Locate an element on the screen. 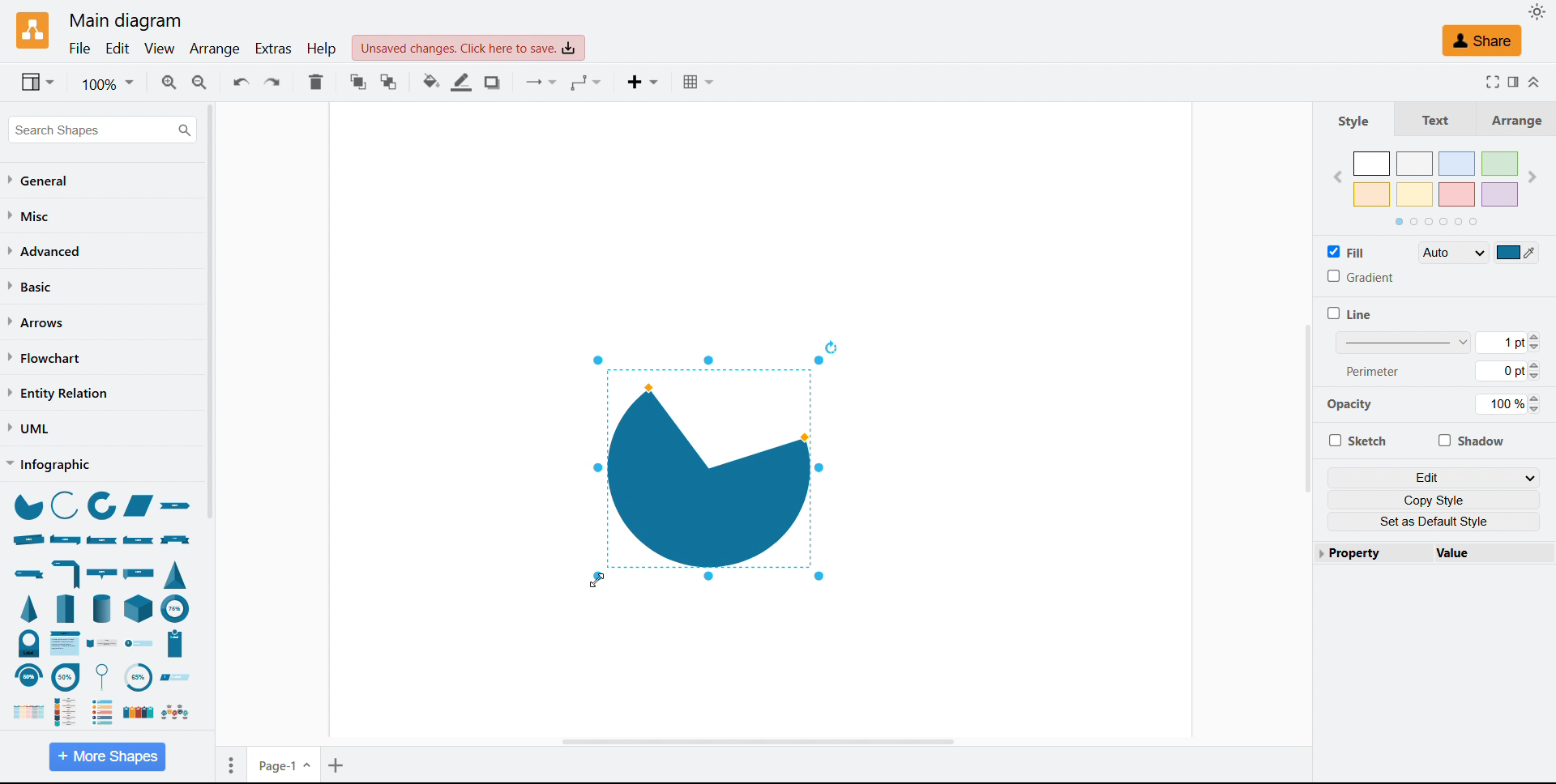  Horizontal scroll bar is located at coordinates (755, 740).